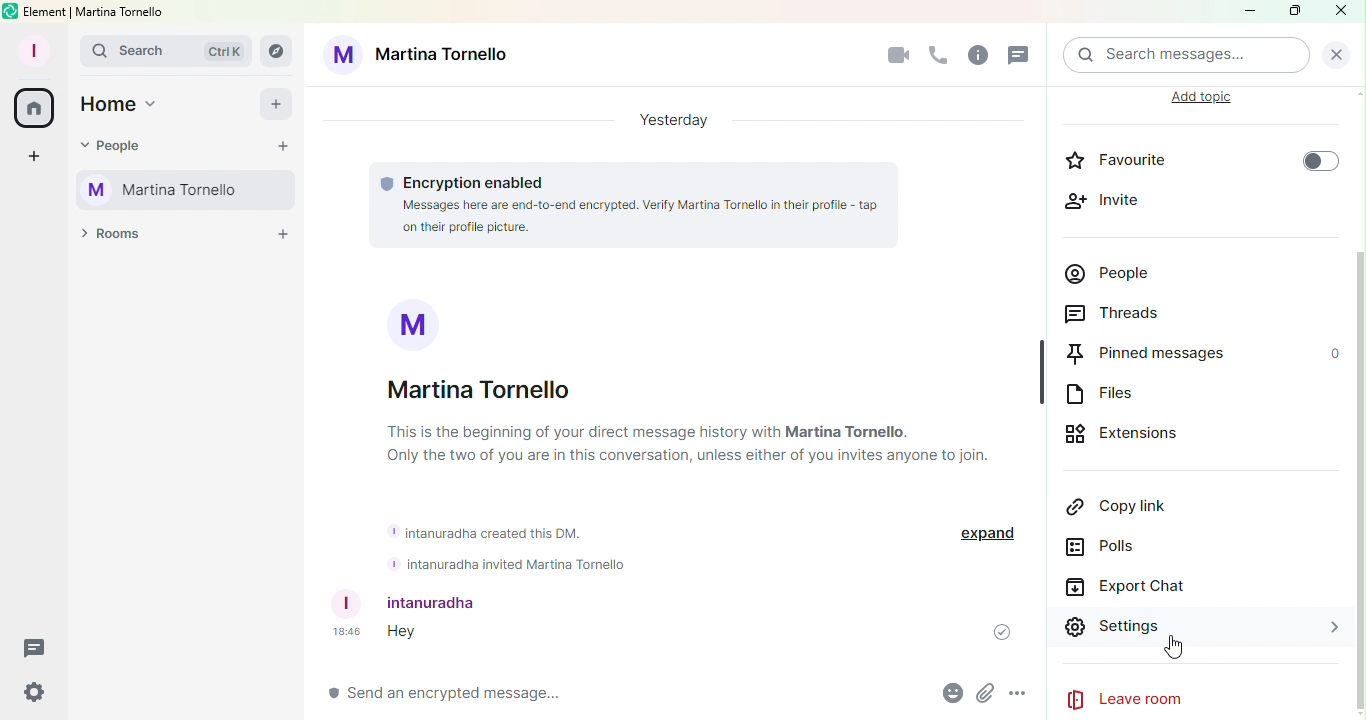 This screenshot has width=1366, height=720. I want to click on Pinned Messages, so click(1207, 356).